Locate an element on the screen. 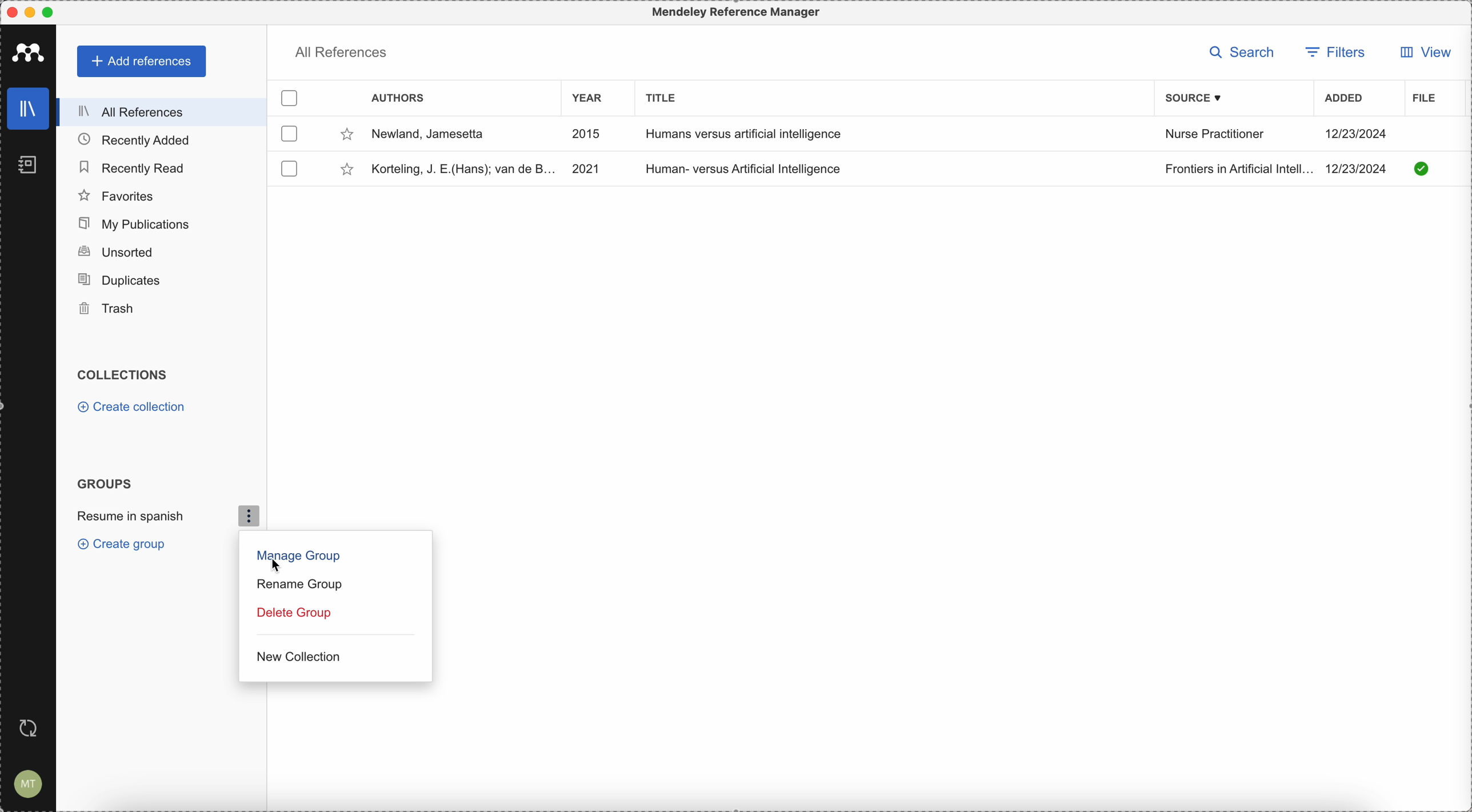  favorite is located at coordinates (347, 169).